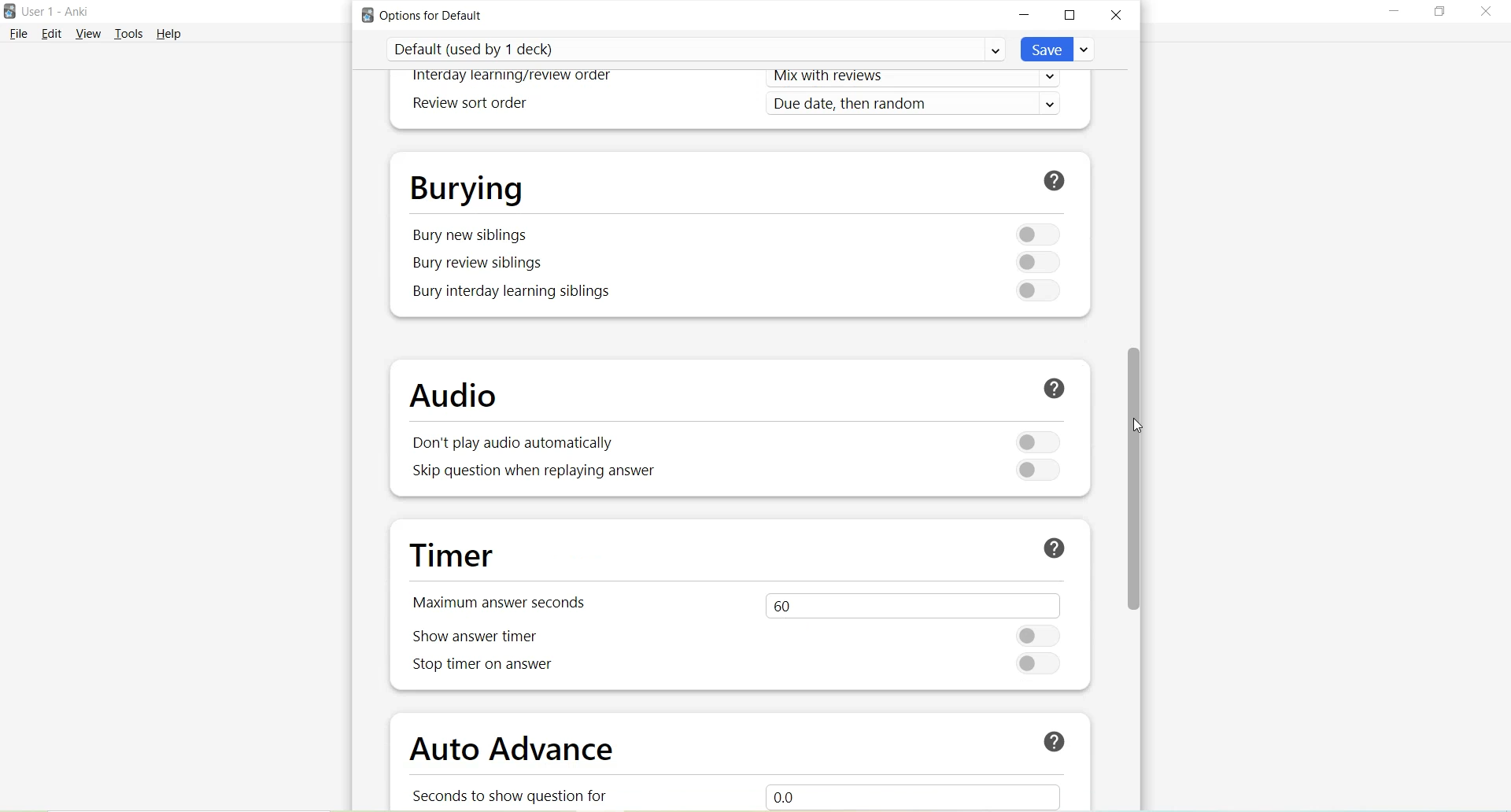  What do you see at coordinates (929, 794) in the screenshot?
I see `0.0` at bounding box center [929, 794].